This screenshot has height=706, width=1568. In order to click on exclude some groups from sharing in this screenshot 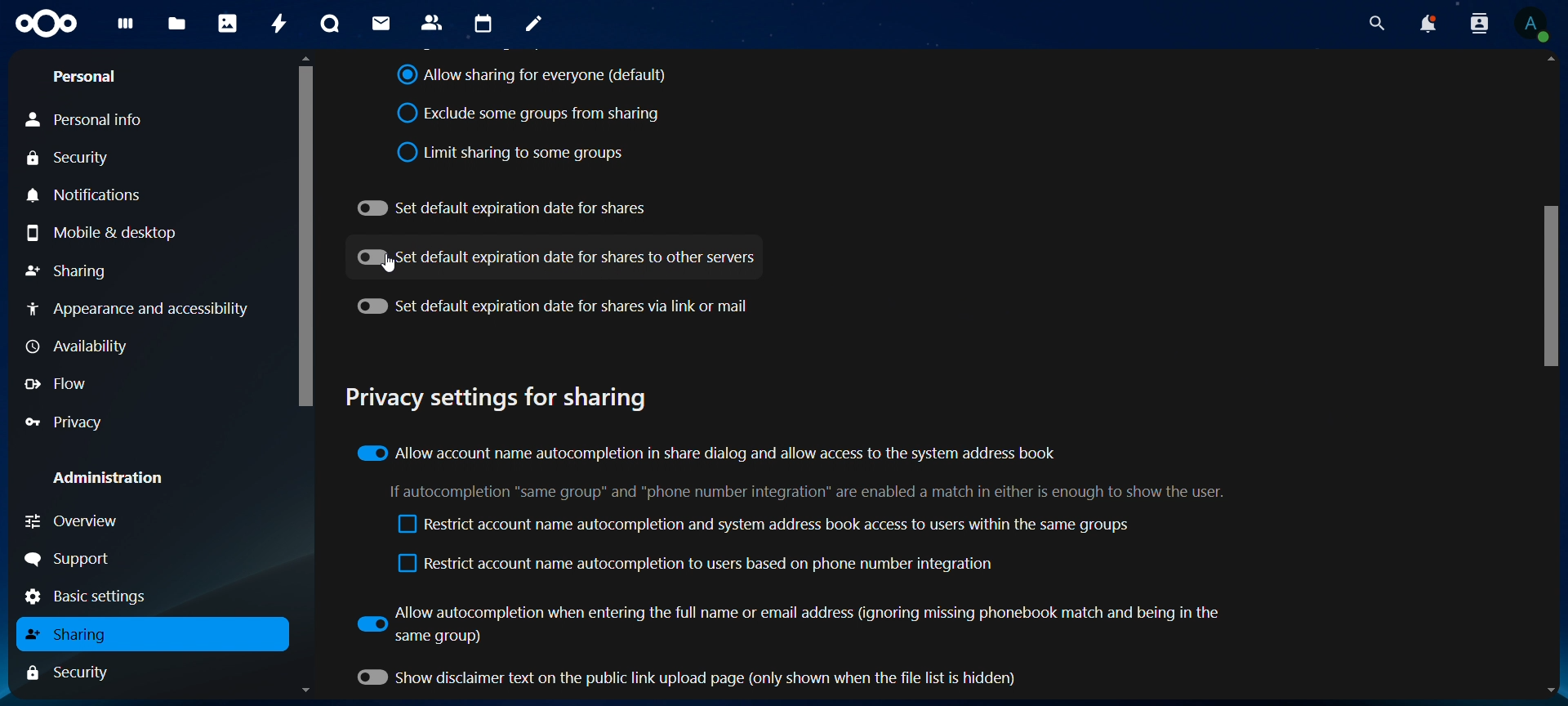, I will do `click(535, 113)`.